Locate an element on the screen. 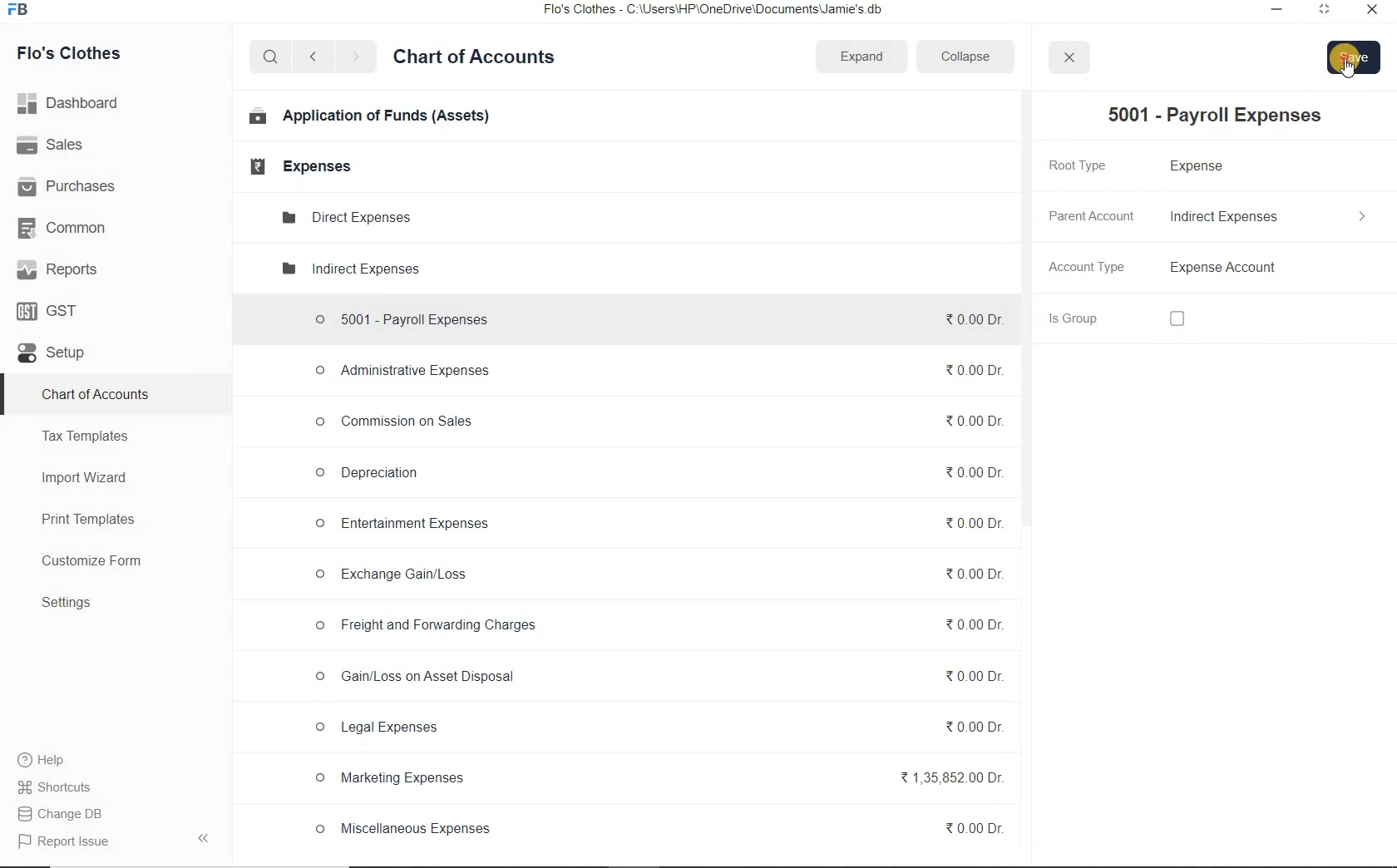 The height and width of the screenshot is (868, 1397). frappe books logo is located at coordinates (22, 11).